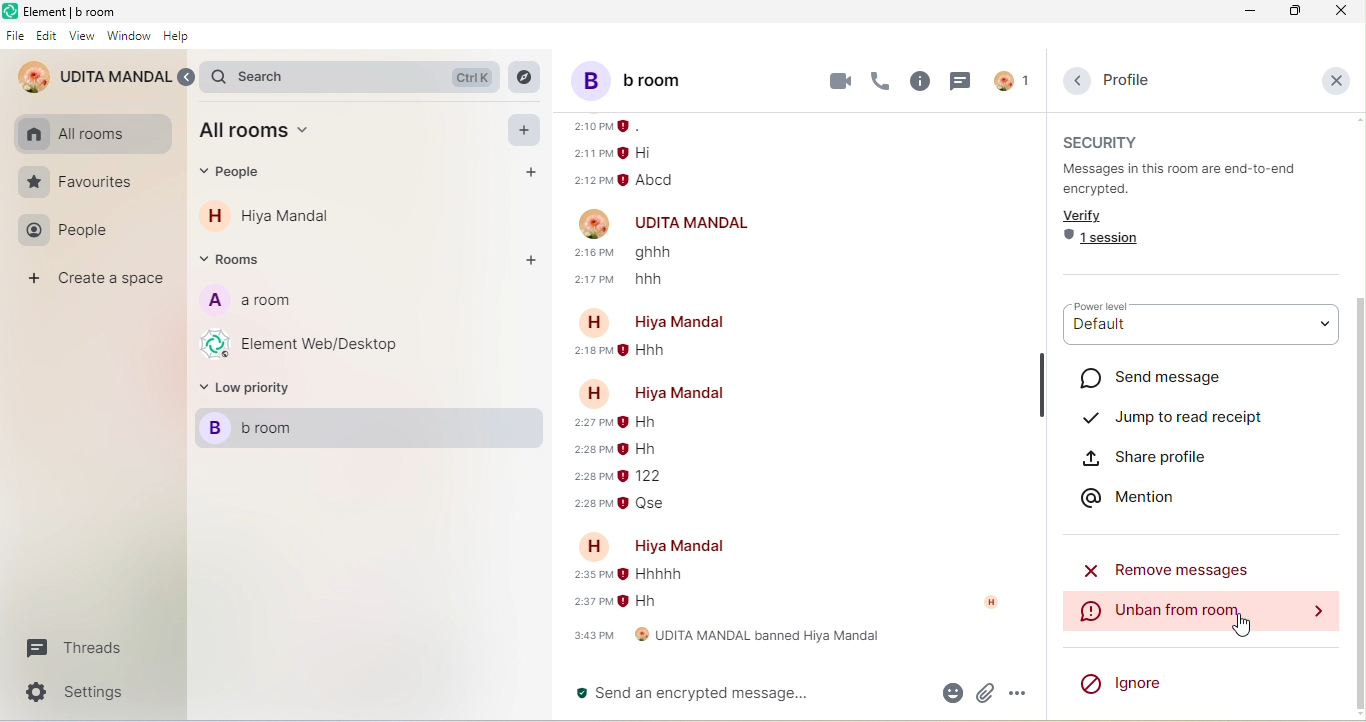 This screenshot has width=1366, height=722. What do you see at coordinates (1168, 378) in the screenshot?
I see `send message` at bounding box center [1168, 378].